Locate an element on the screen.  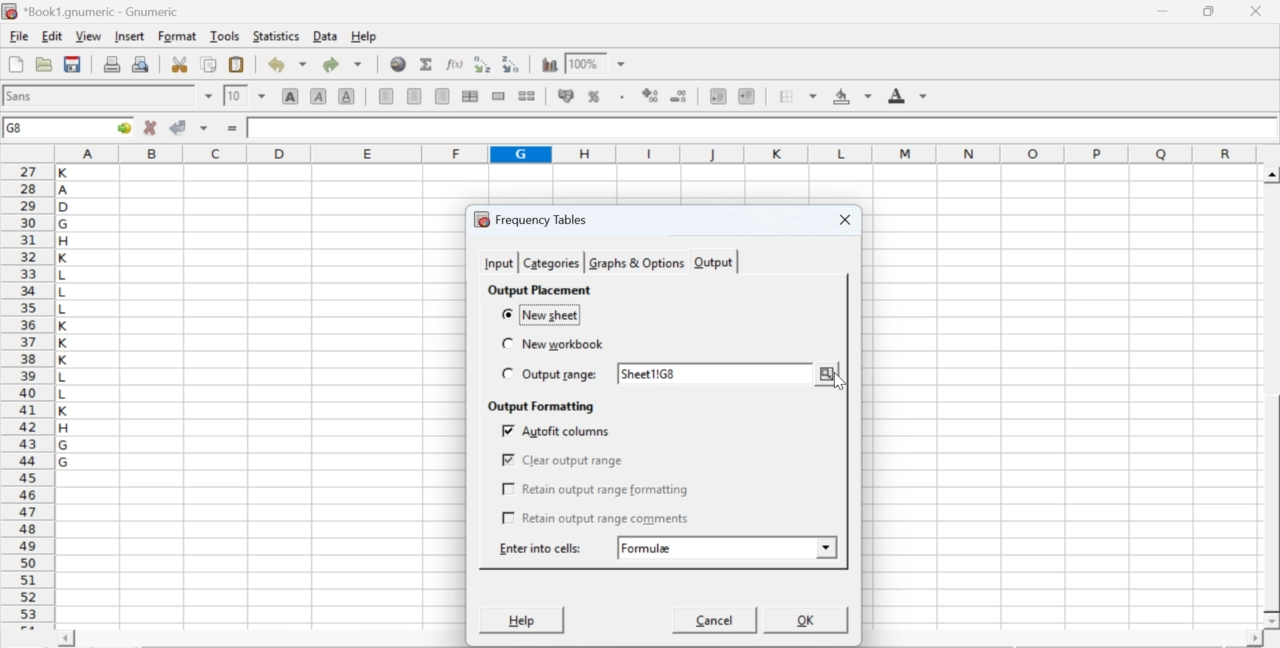
categories is located at coordinates (550, 263).